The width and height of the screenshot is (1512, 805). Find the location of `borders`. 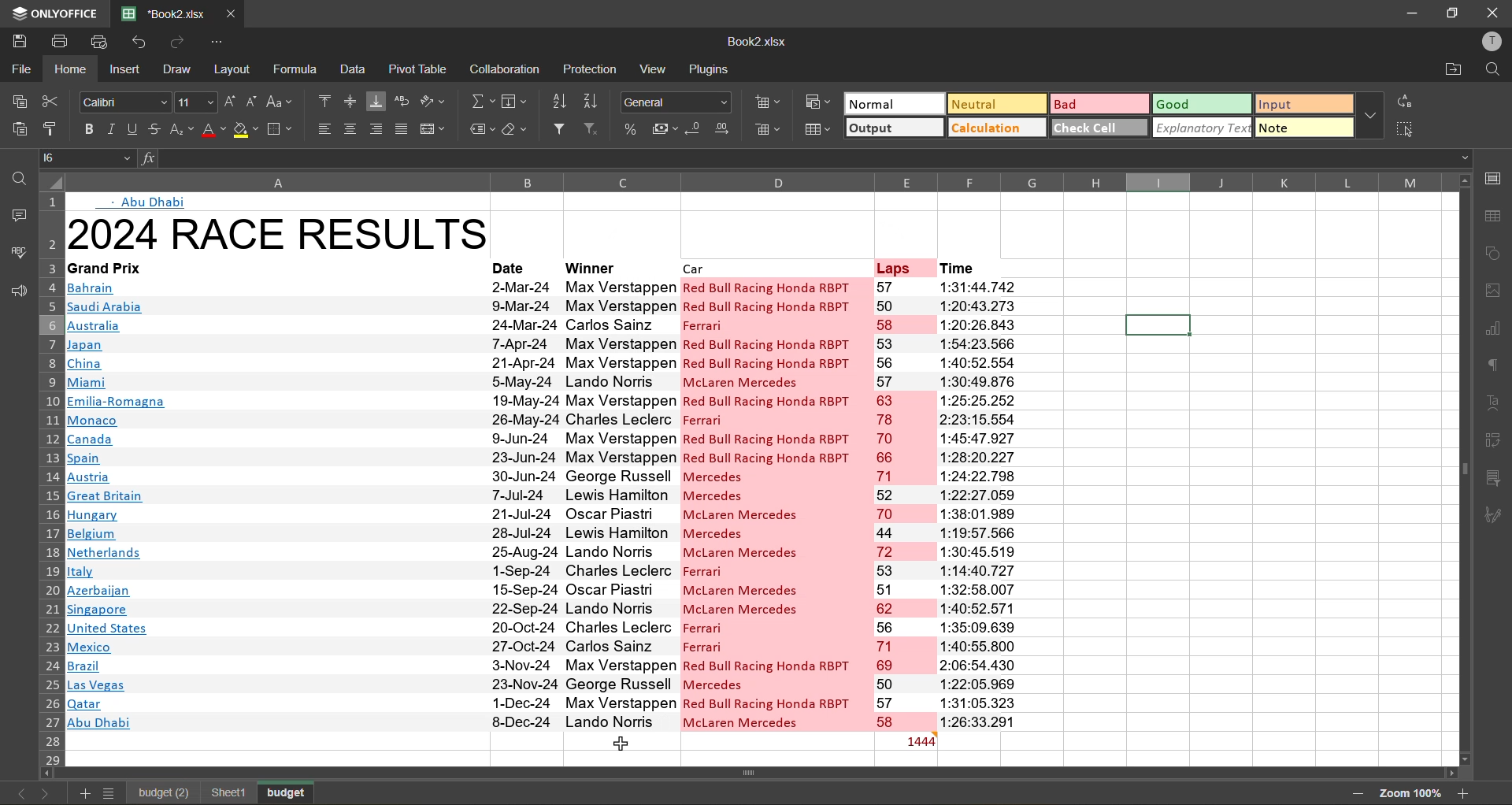

borders is located at coordinates (282, 129).